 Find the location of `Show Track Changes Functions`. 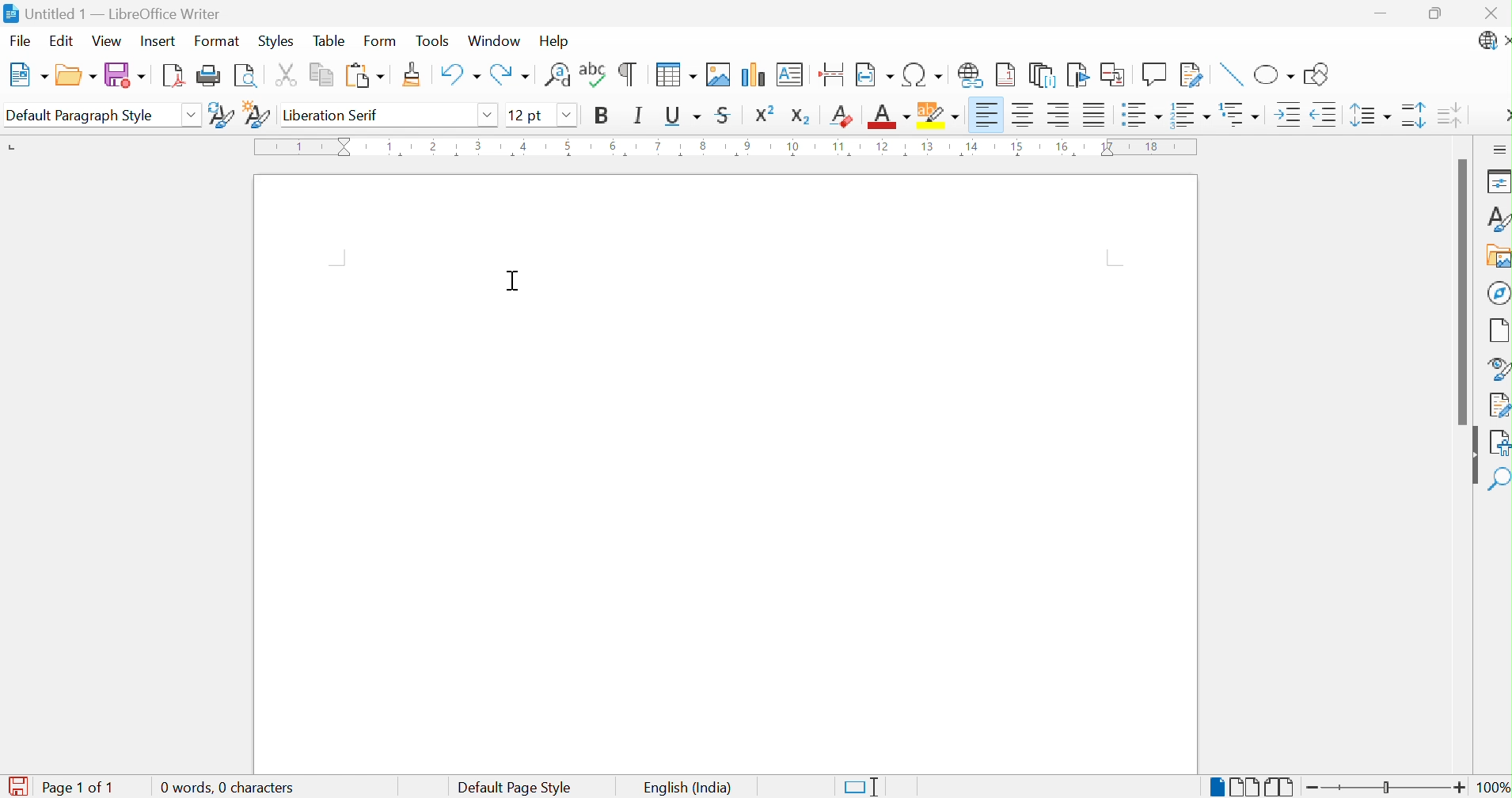

Show Track Changes Functions is located at coordinates (1192, 74).